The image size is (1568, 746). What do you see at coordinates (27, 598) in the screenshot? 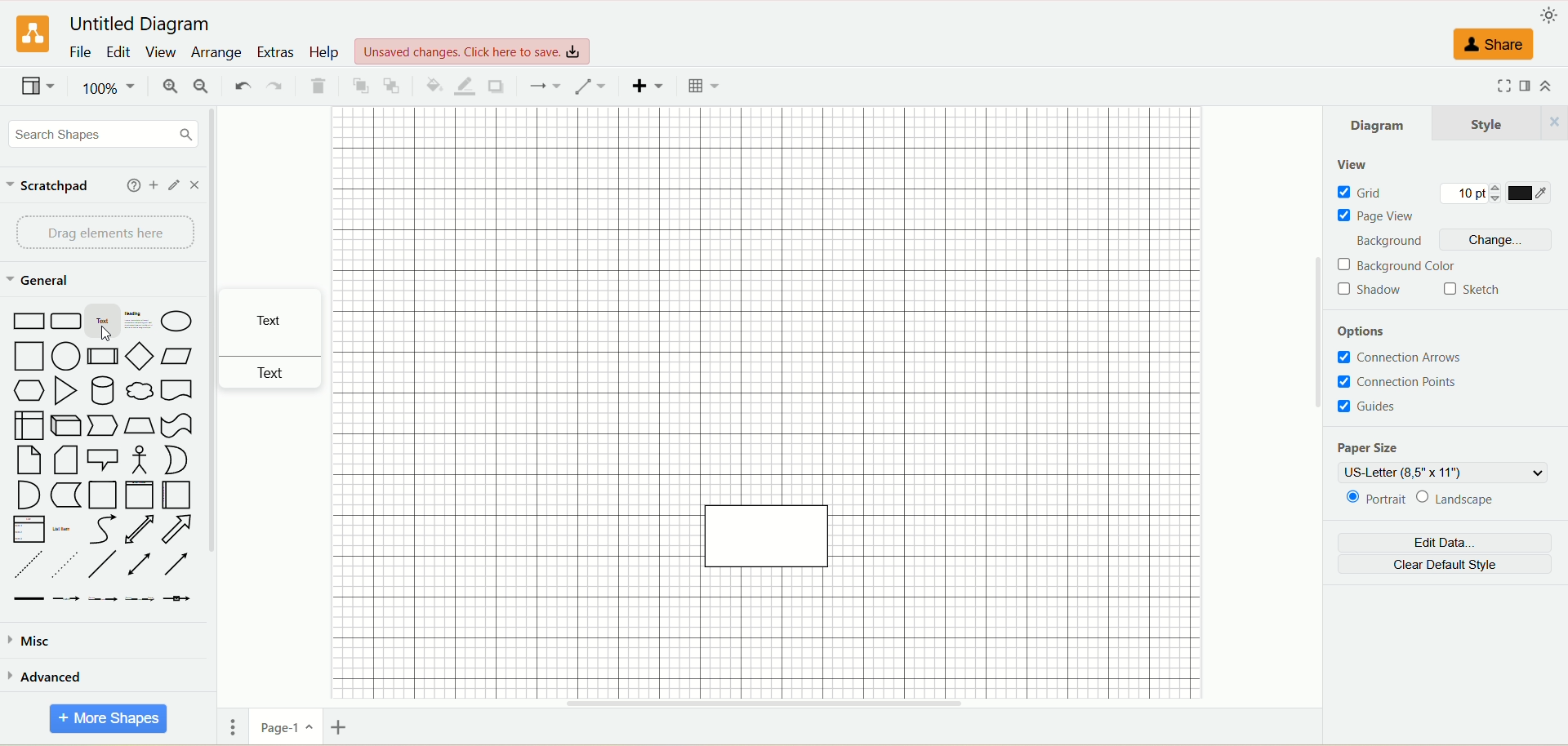
I see `connector 1` at bounding box center [27, 598].